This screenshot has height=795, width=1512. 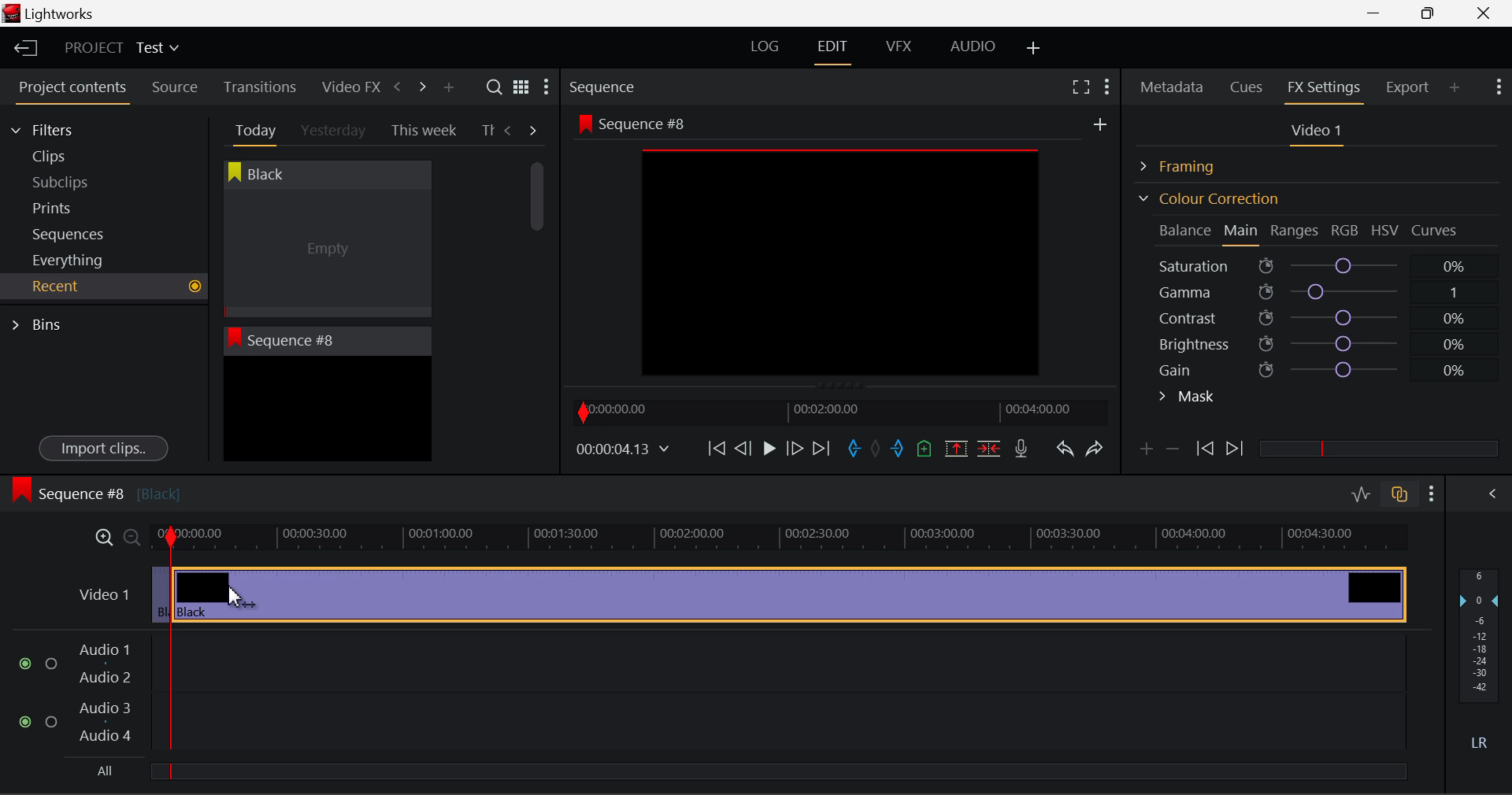 I want to click on Undo, so click(x=1064, y=452).